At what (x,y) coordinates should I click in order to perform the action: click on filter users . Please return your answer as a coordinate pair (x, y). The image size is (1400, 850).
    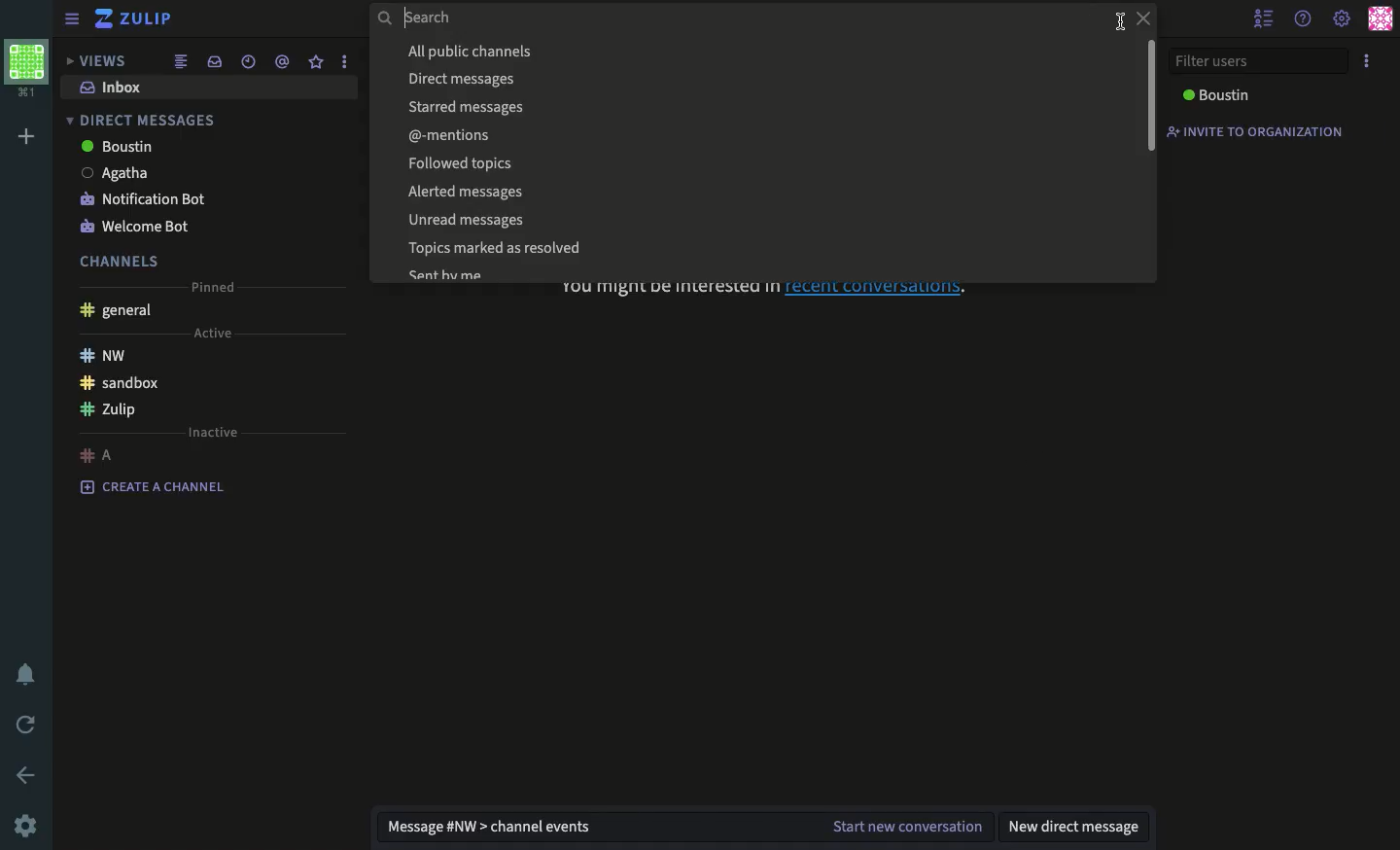
    Looking at the image, I should click on (1259, 59).